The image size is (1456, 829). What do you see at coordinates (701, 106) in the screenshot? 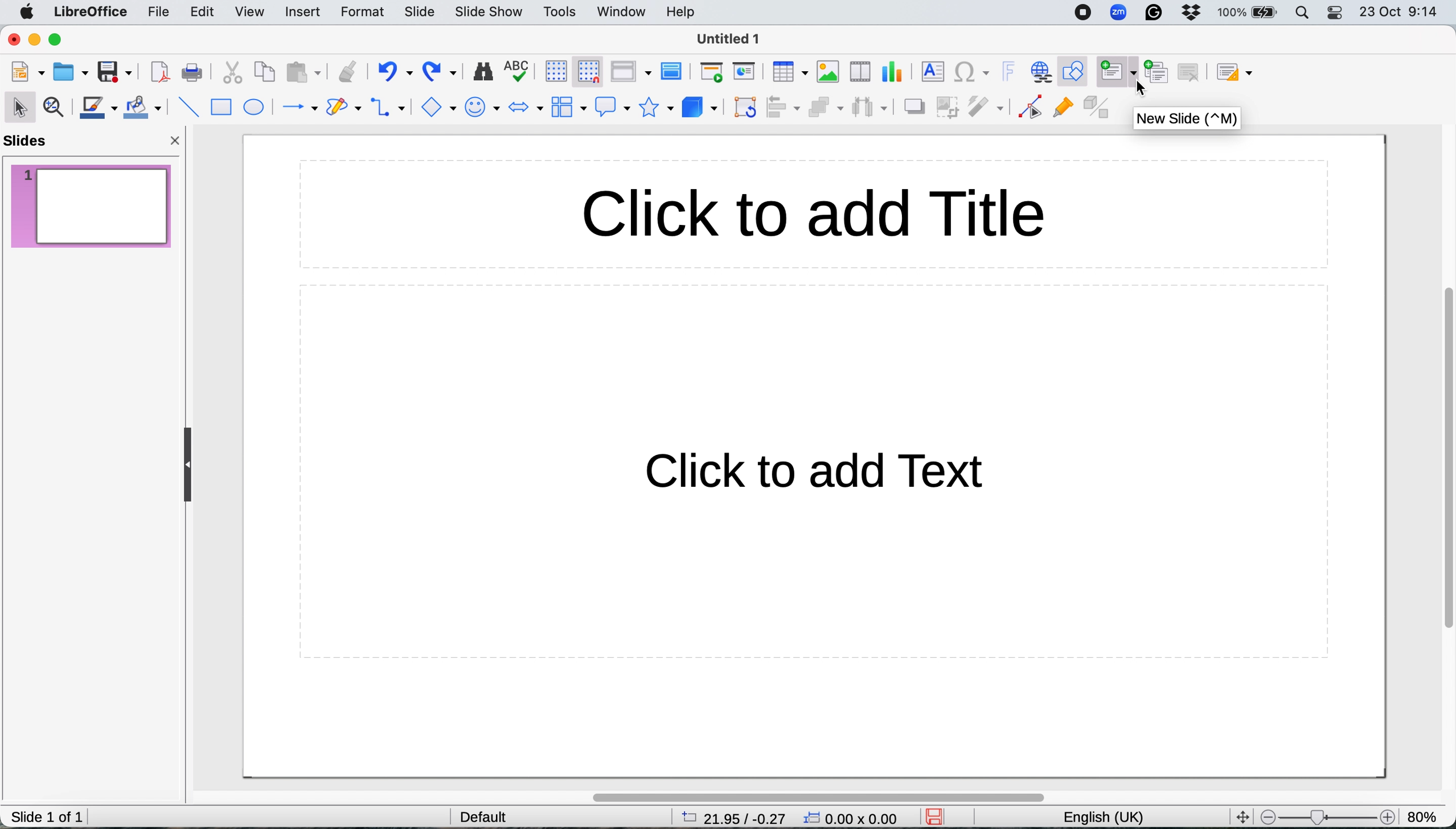
I see `3d objects` at bounding box center [701, 106].